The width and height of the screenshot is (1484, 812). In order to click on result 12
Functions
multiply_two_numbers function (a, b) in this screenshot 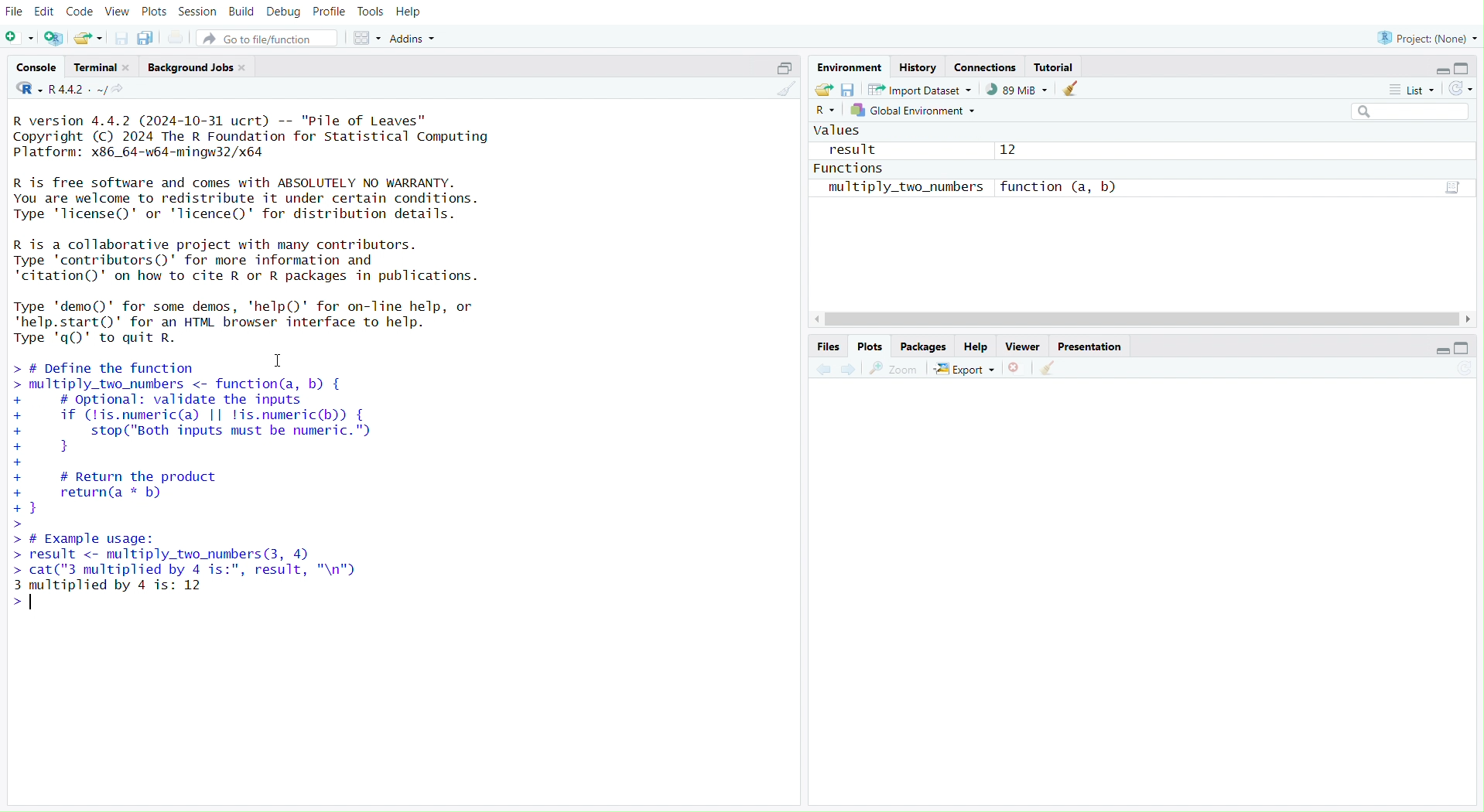, I will do `click(973, 166)`.